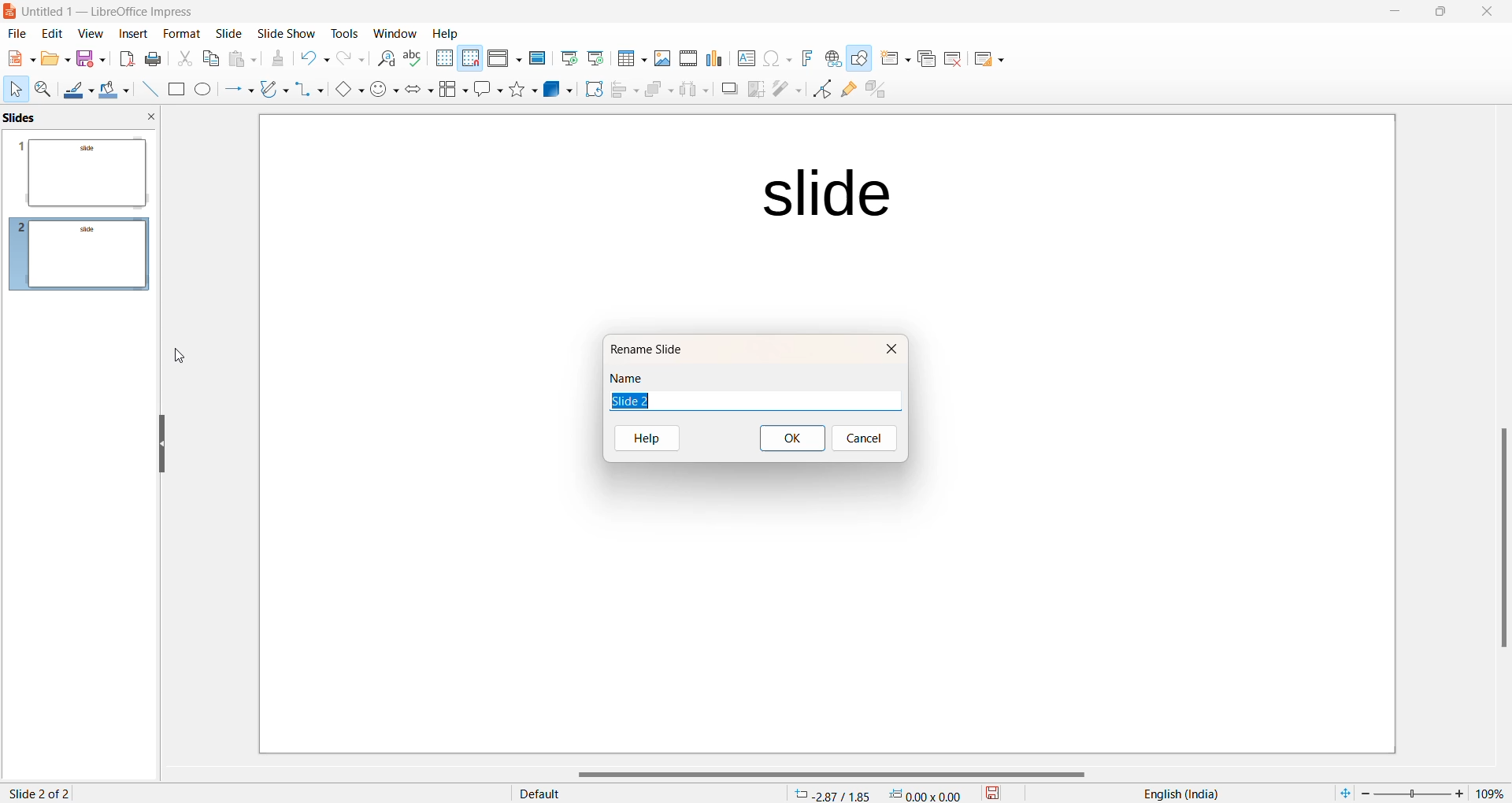 The image size is (1512, 803). Describe the element at coordinates (859, 60) in the screenshot. I see `Show draw function` at that location.